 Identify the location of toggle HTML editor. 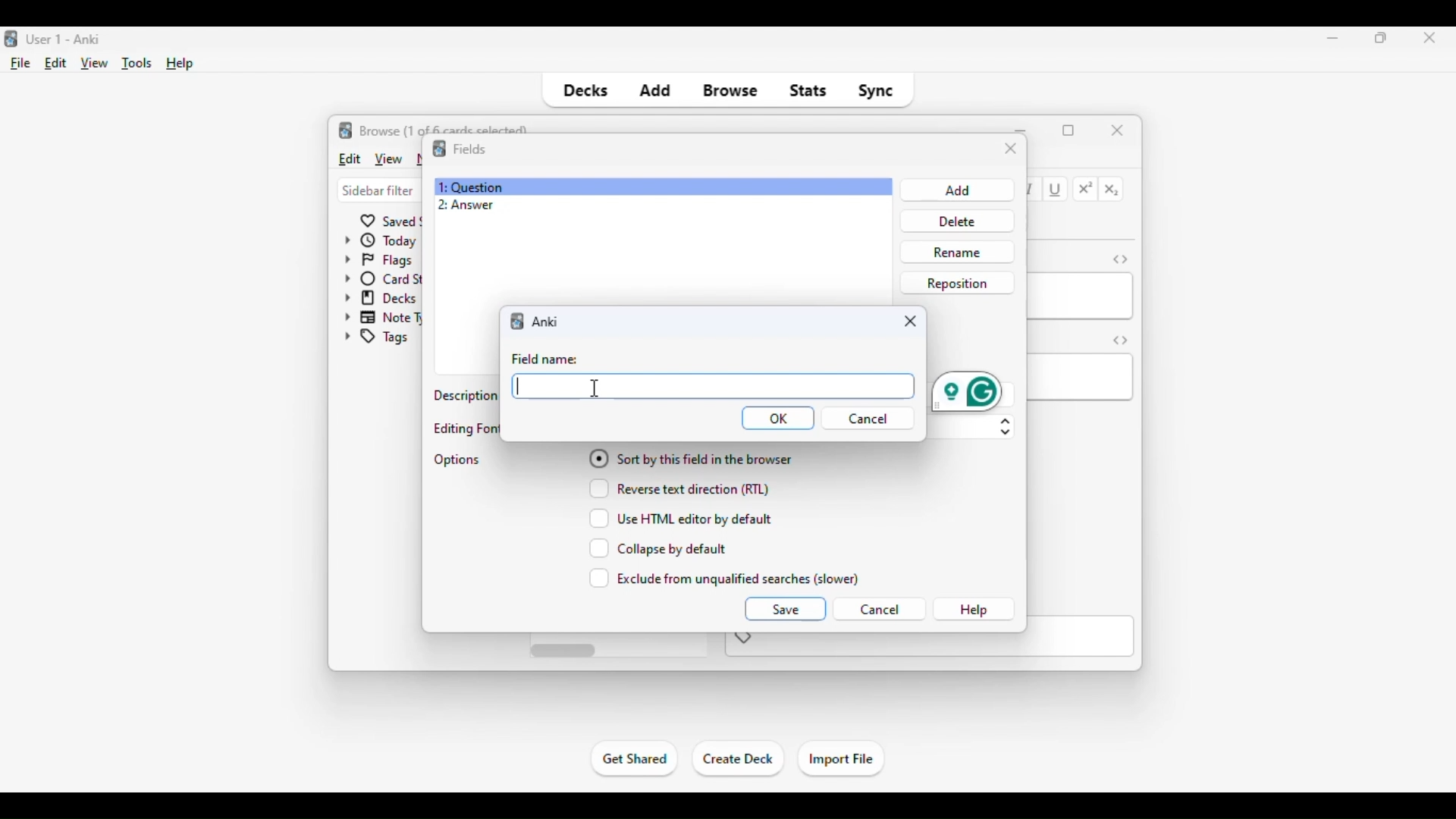
(1120, 259).